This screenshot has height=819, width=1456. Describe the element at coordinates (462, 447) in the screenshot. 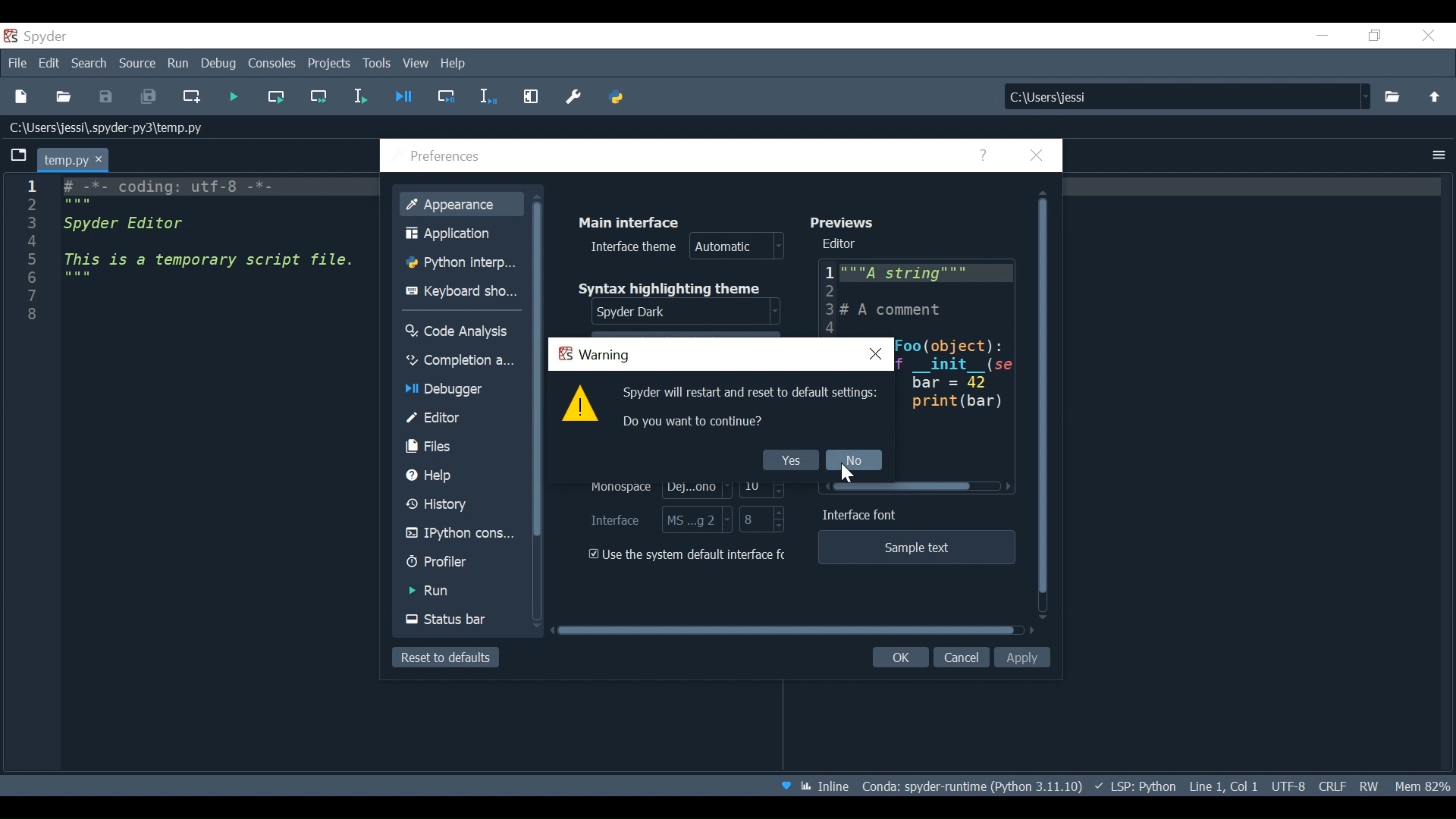

I see `Files` at that location.